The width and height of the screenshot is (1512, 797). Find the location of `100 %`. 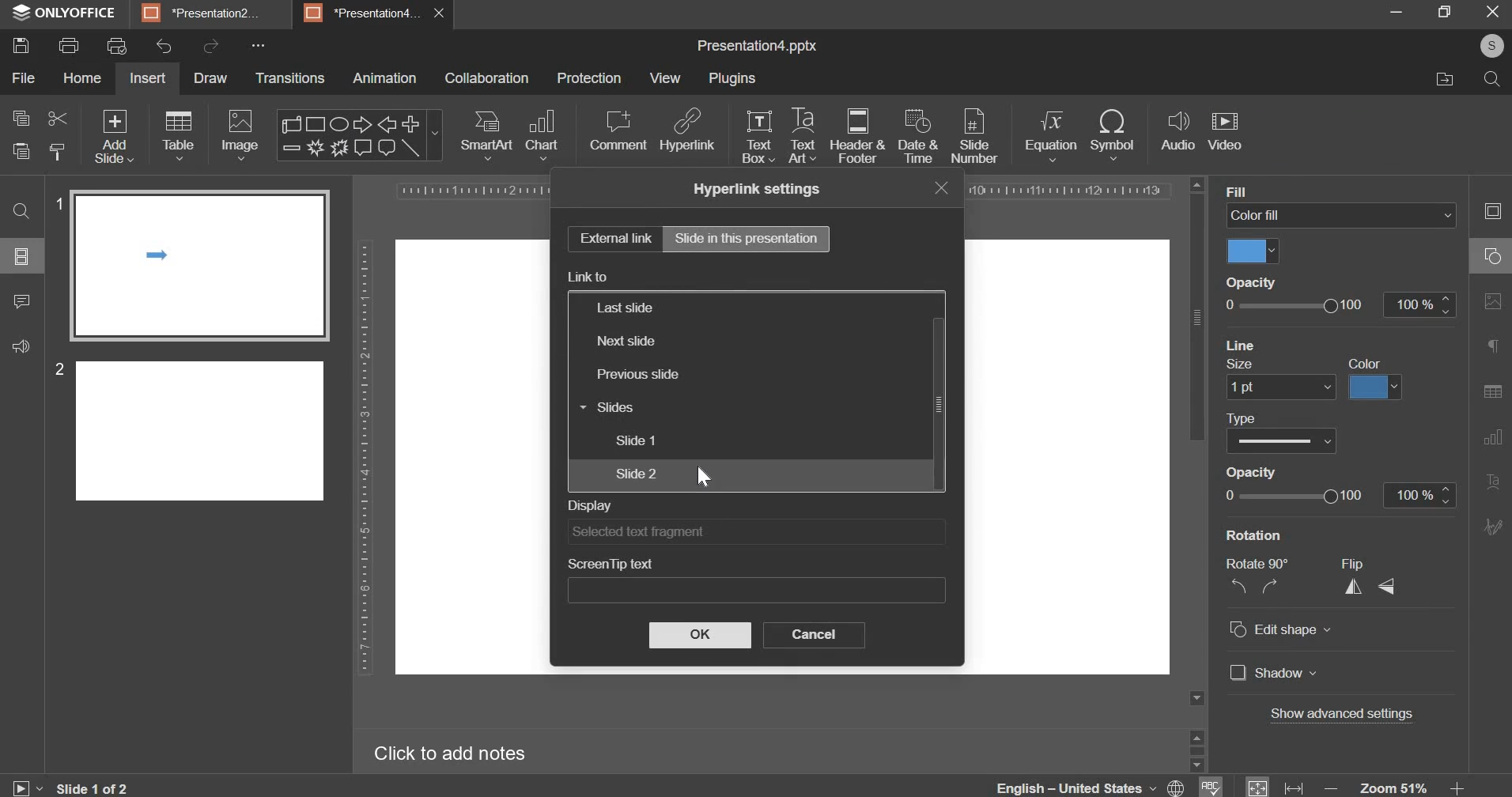

100 % is located at coordinates (1416, 494).